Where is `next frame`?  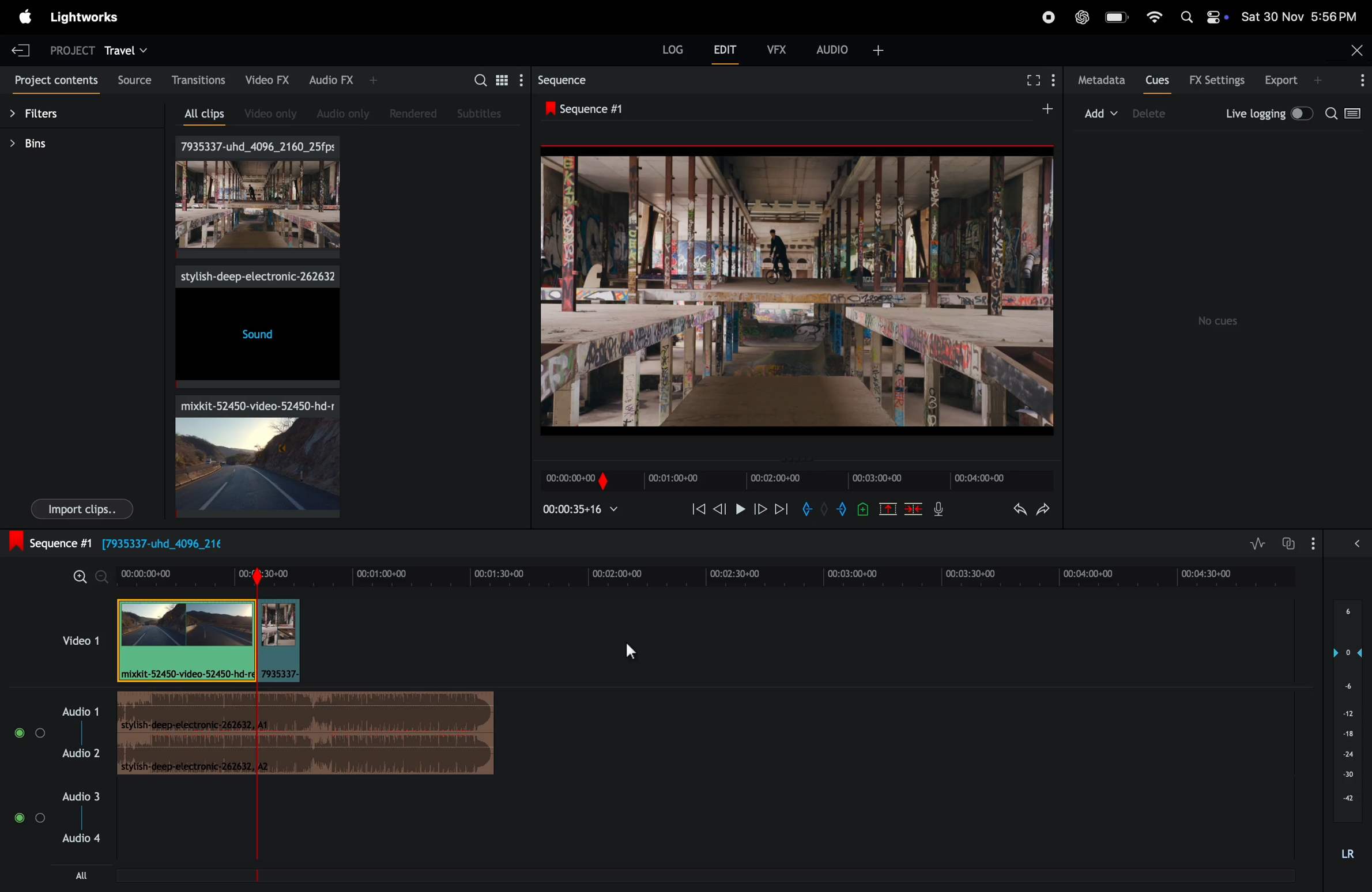 next frame is located at coordinates (761, 511).